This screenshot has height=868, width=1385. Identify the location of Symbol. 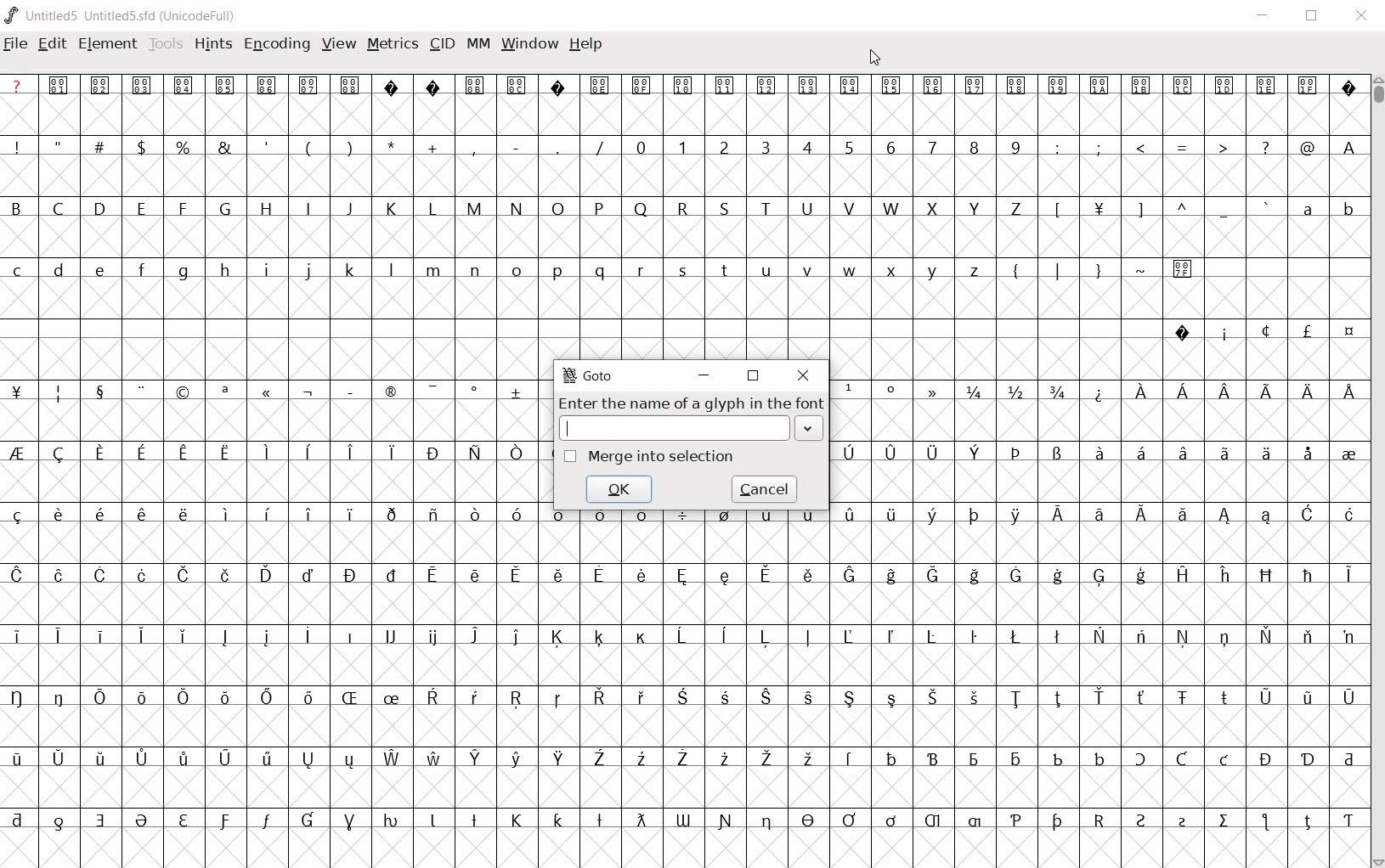
(474, 453).